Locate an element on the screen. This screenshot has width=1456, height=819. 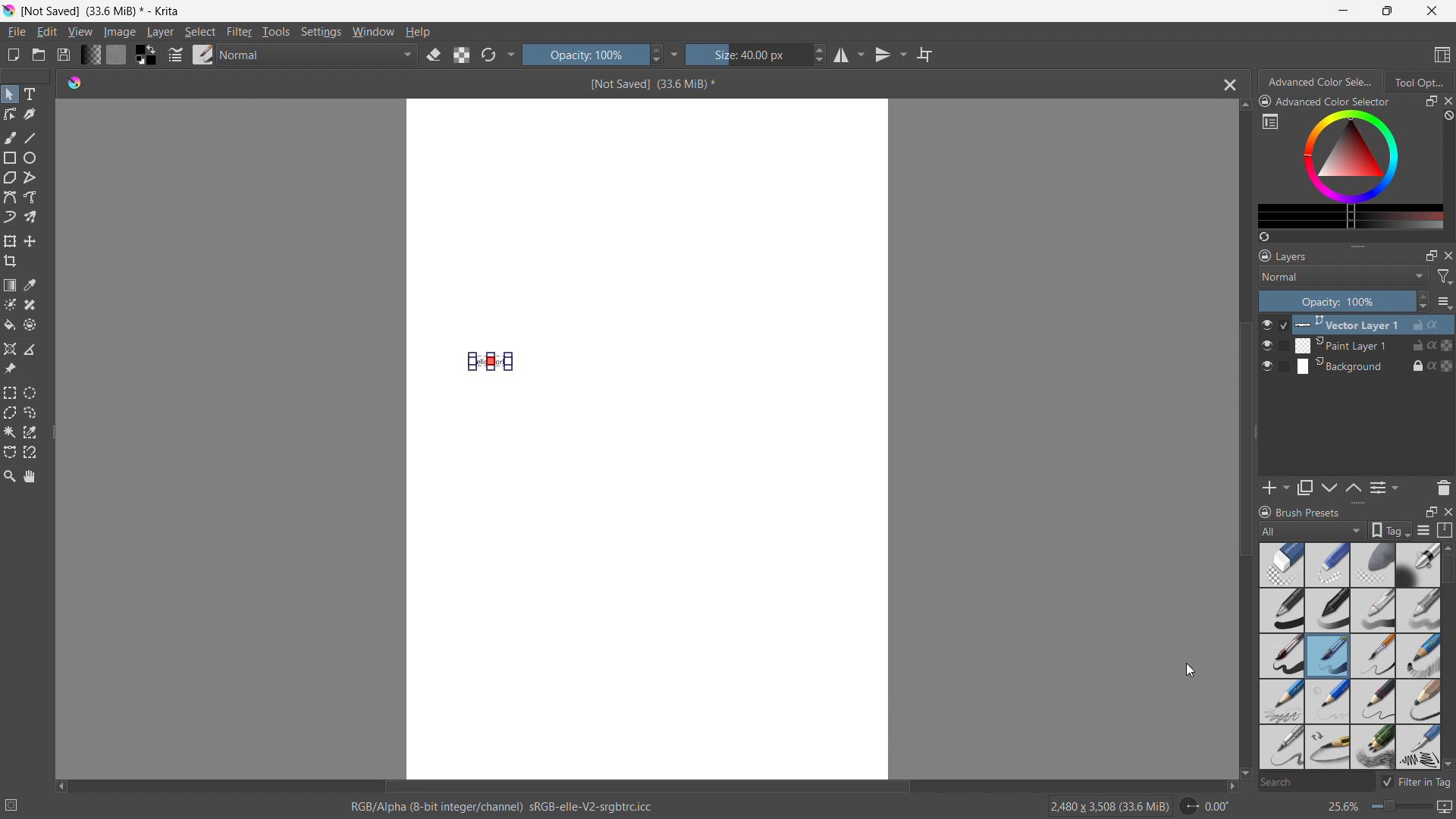
open is located at coordinates (39, 55).